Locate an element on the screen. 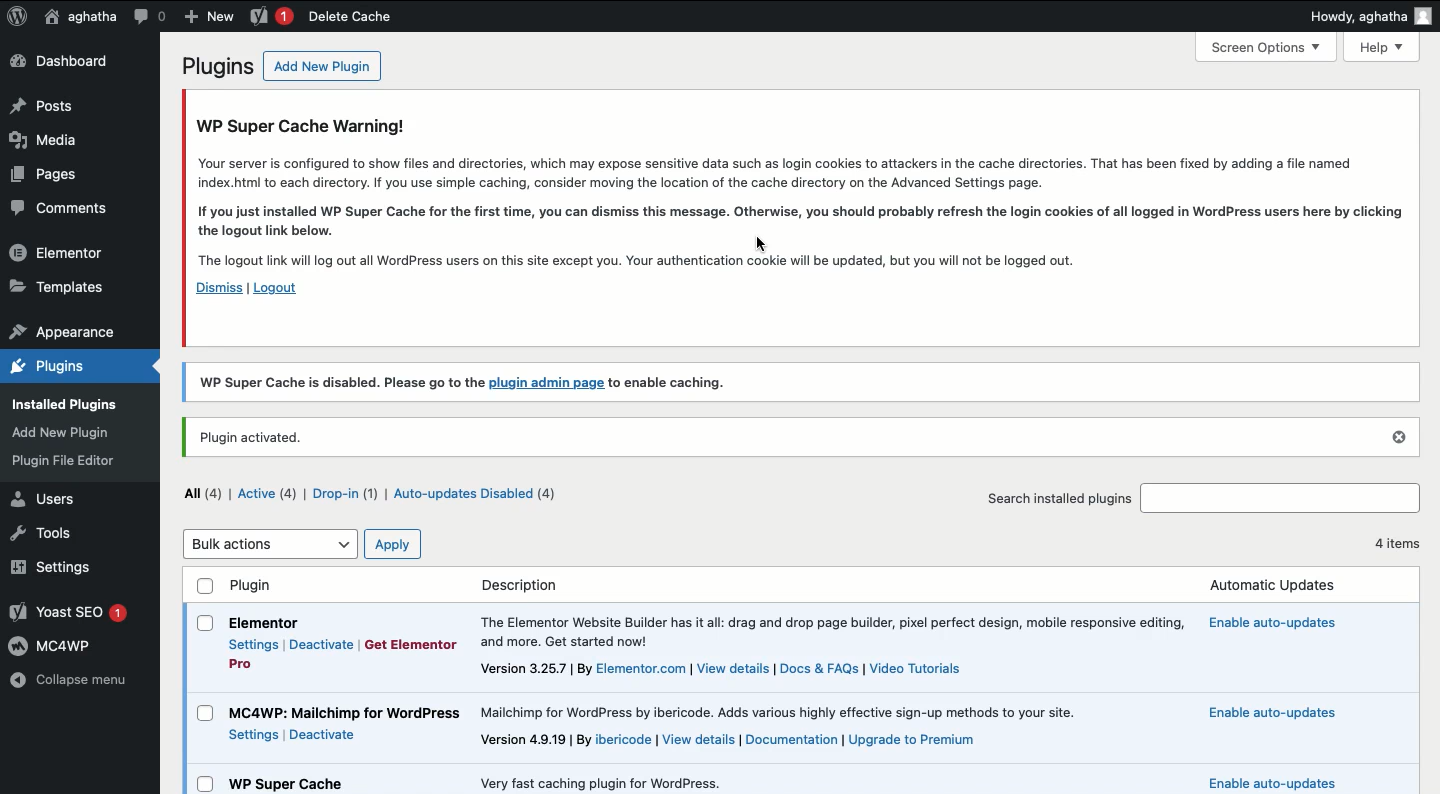 This screenshot has width=1440, height=794. Logo is located at coordinates (17, 18).